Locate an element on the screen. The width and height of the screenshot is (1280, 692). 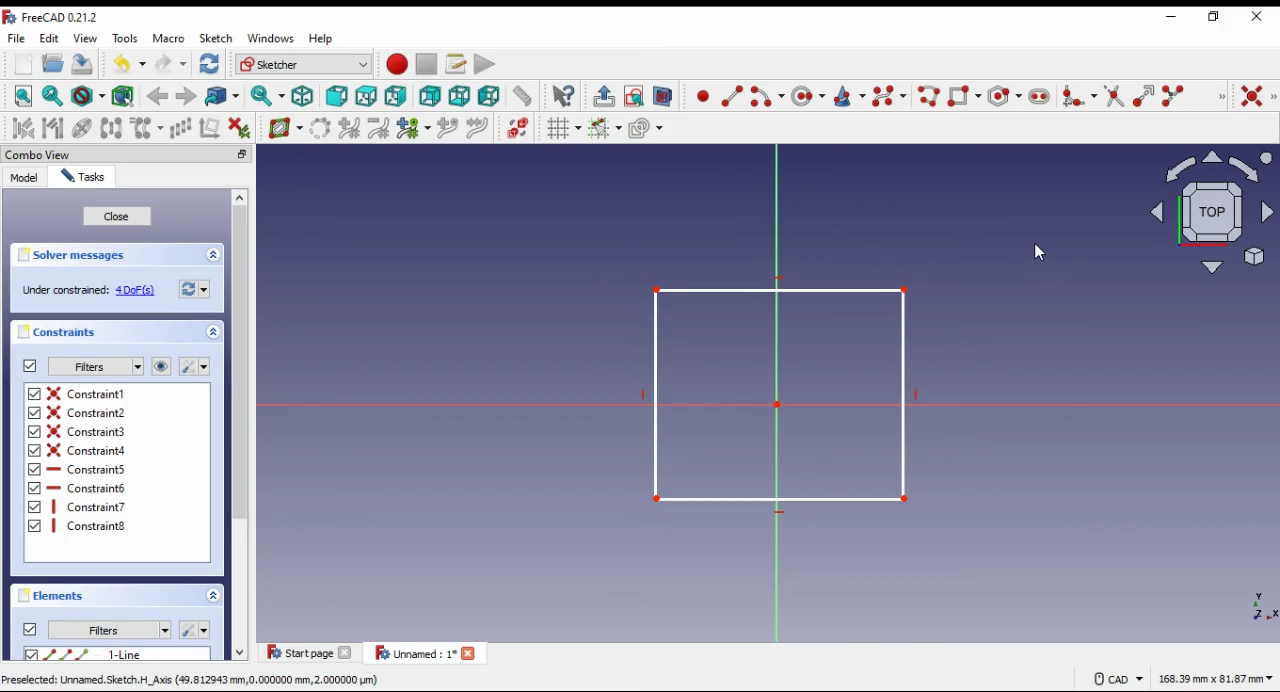
on/off constraint 4 is located at coordinates (91, 449).